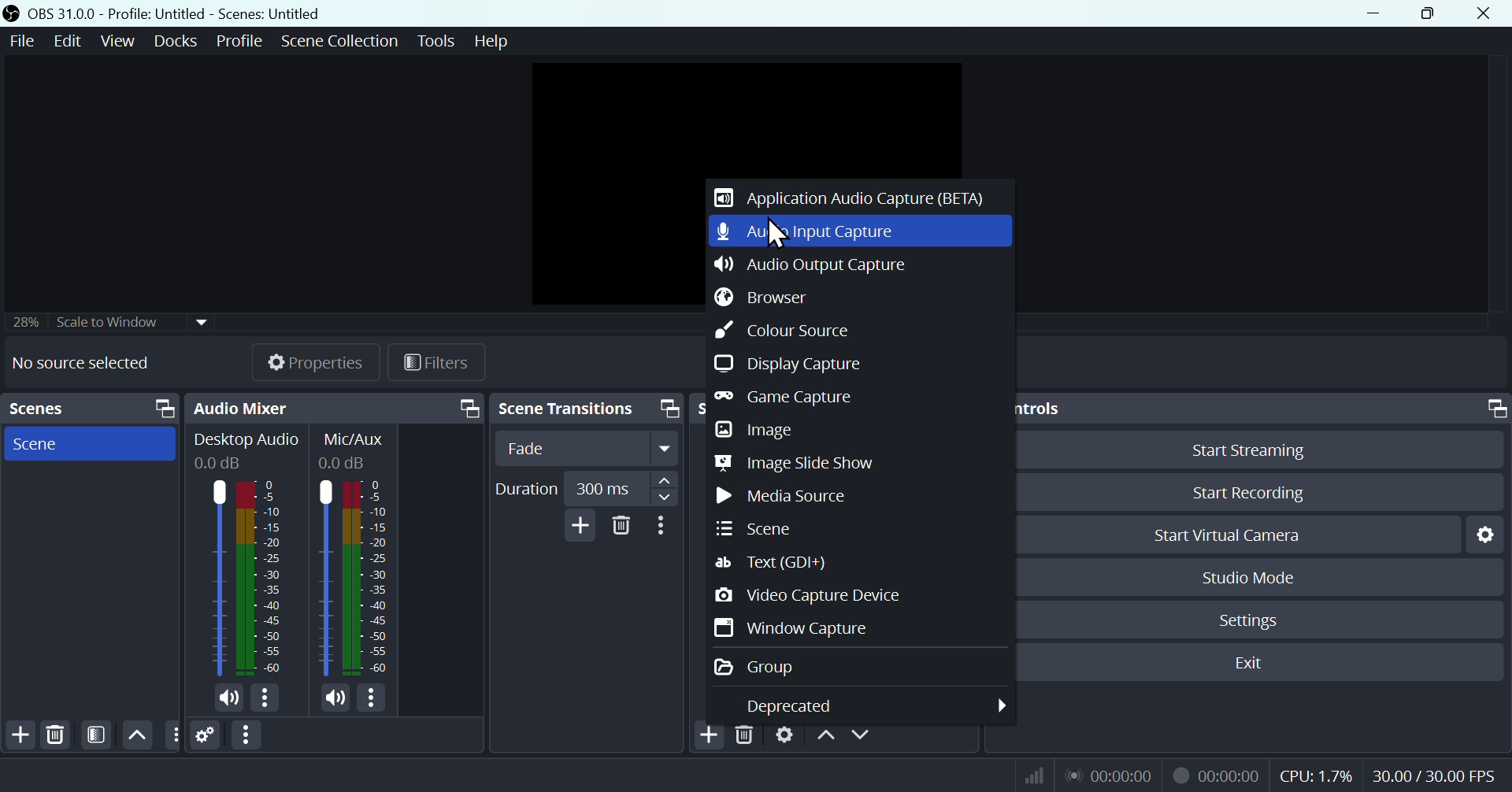  I want to click on help, so click(491, 41).